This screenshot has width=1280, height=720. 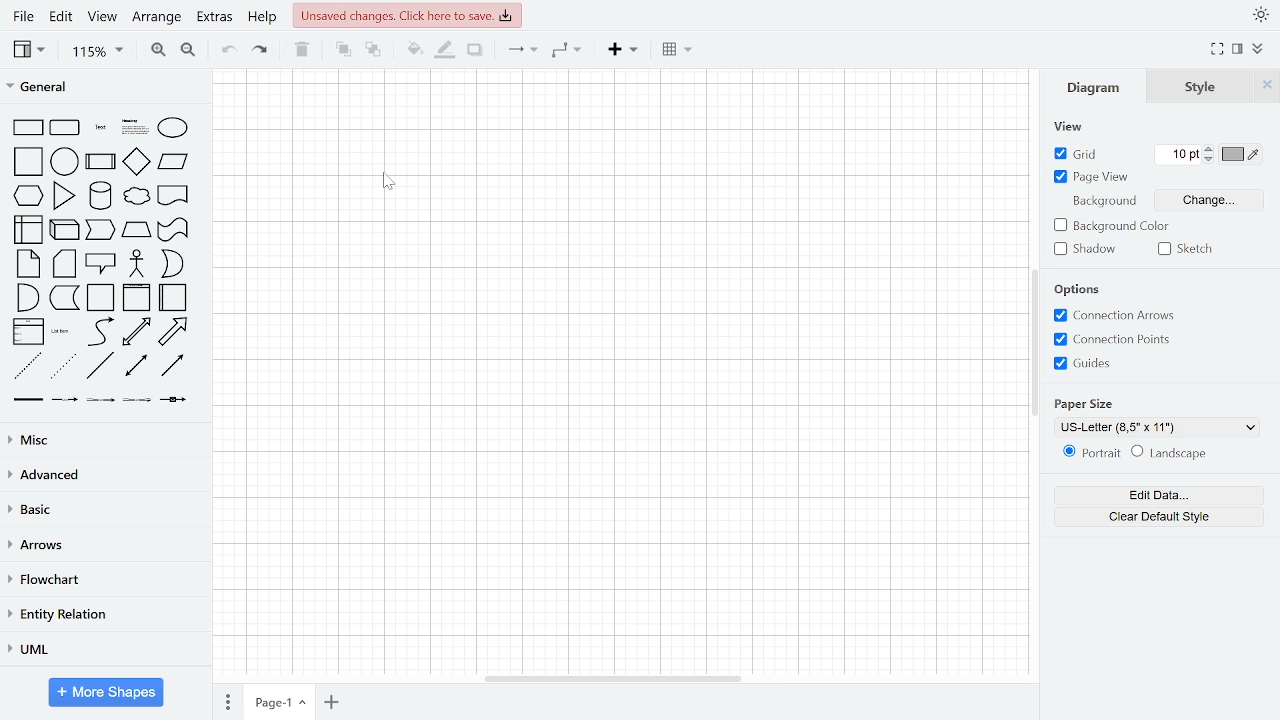 I want to click on entity relation, so click(x=102, y=615).